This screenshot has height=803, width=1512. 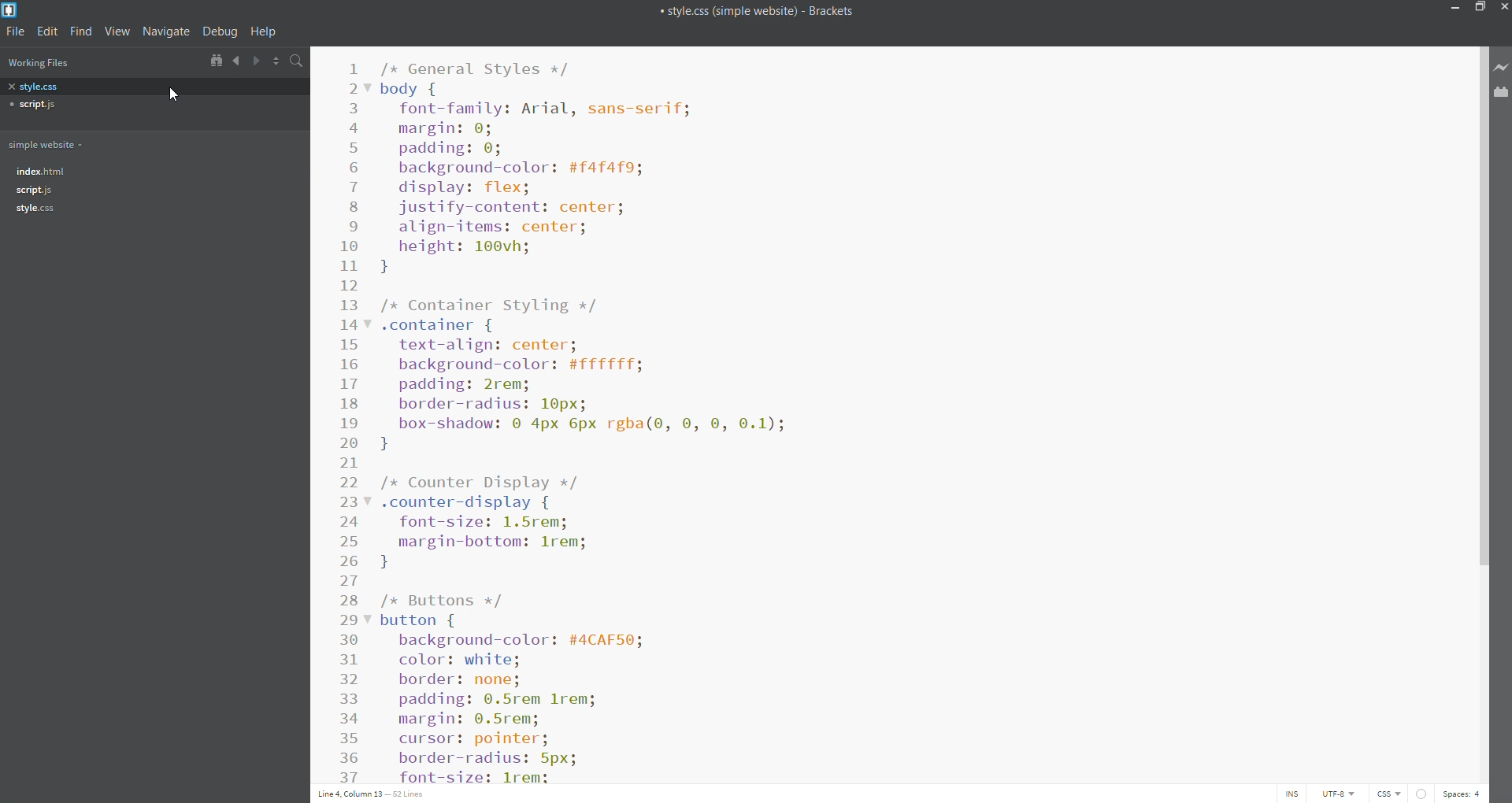 What do you see at coordinates (156, 87) in the screenshot?
I see `style.css` at bounding box center [156, 87].